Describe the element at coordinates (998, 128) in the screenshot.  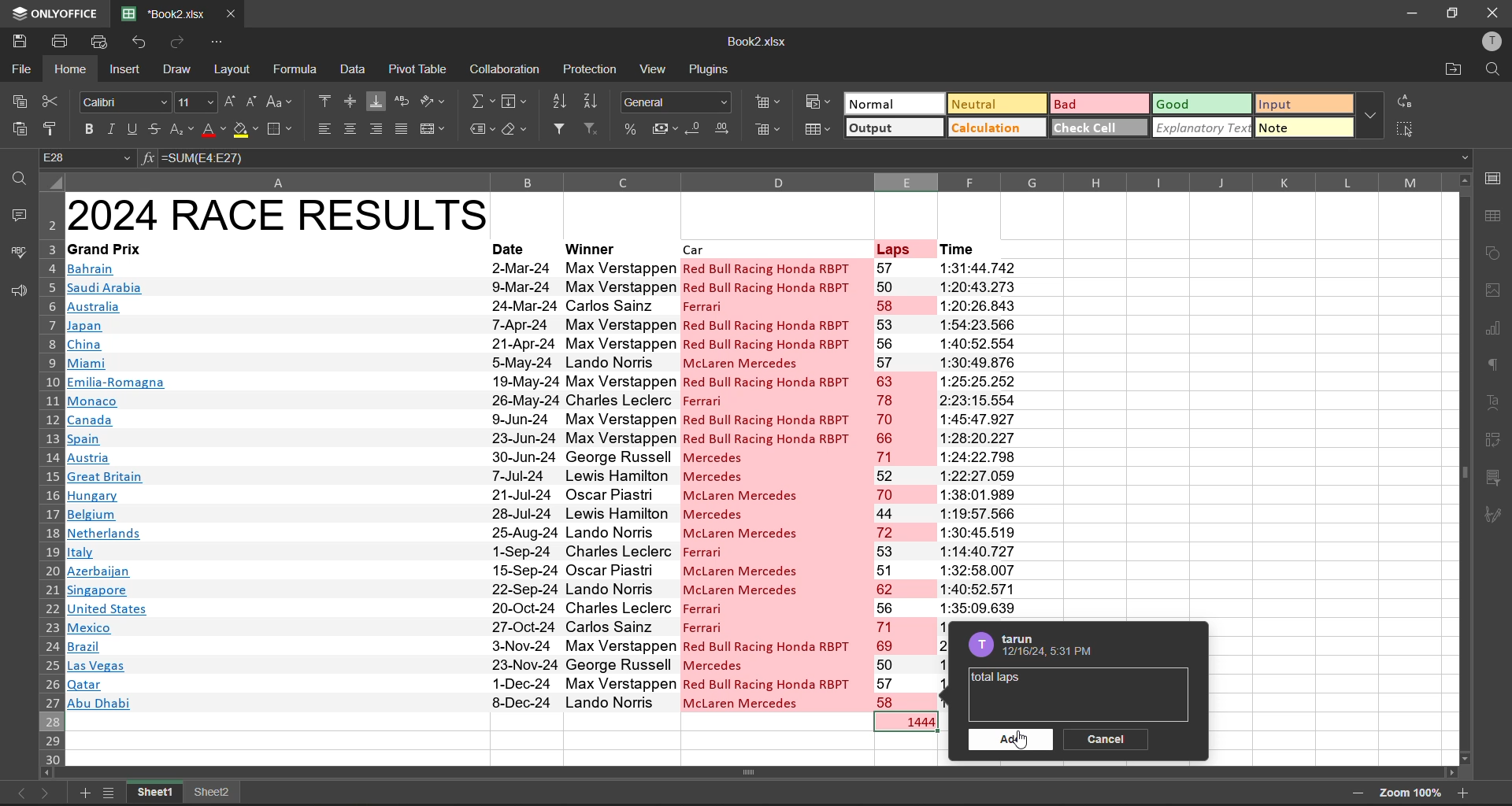
I see `calculation` at that location.